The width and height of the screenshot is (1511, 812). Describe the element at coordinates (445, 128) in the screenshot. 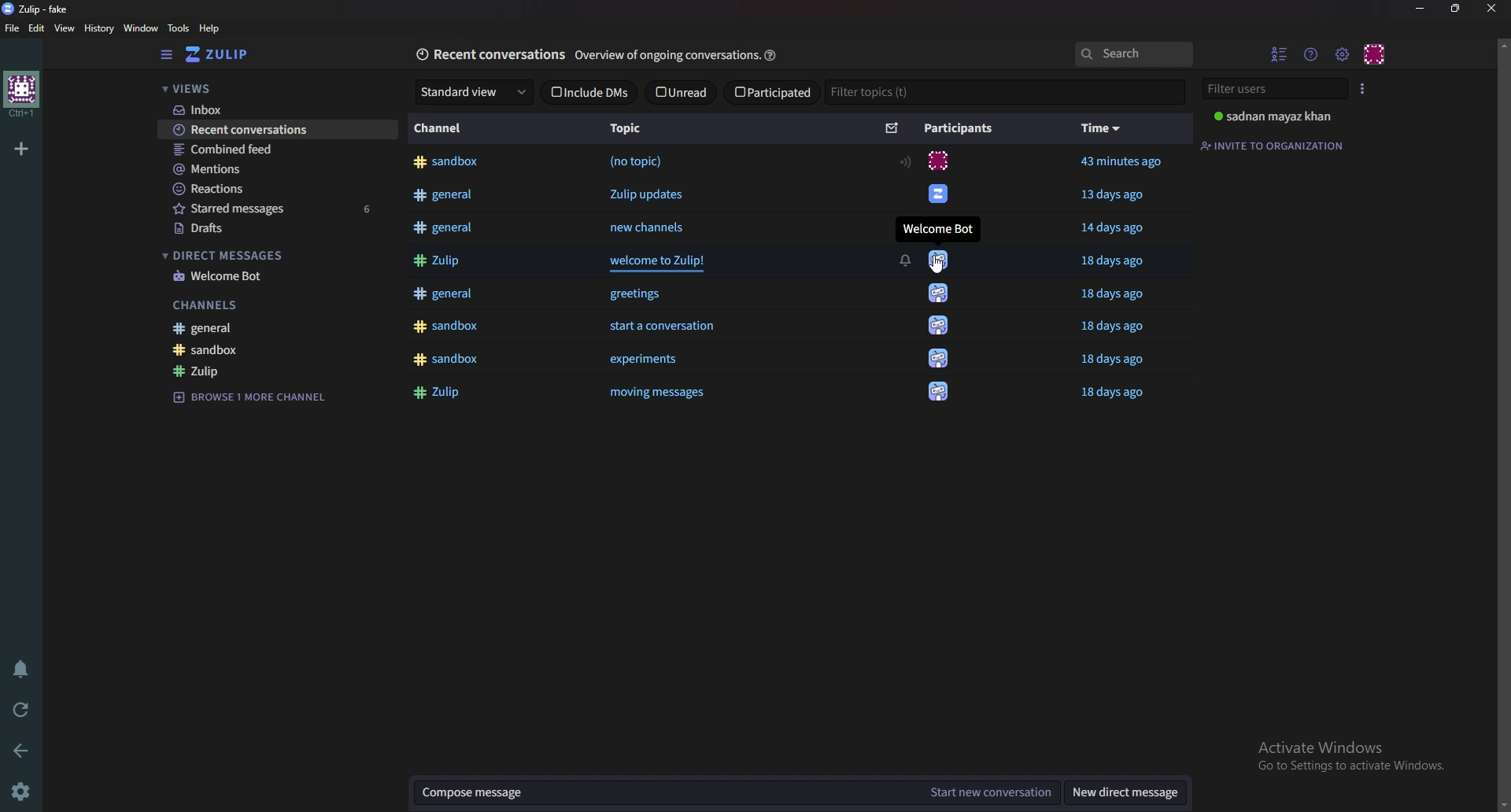

I see `Channel` at that location.